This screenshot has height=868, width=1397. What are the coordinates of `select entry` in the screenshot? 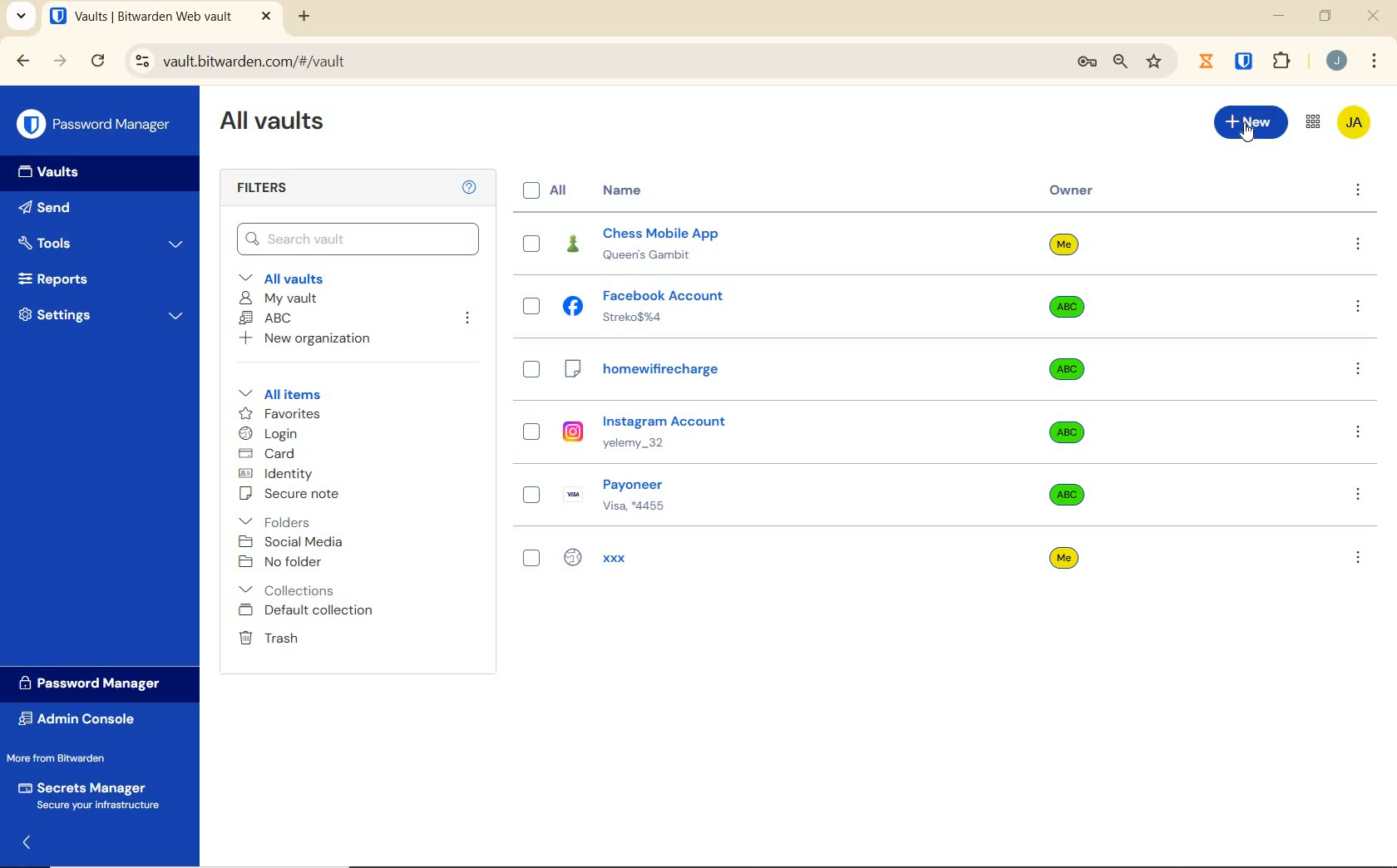 It's located at (531, 369).